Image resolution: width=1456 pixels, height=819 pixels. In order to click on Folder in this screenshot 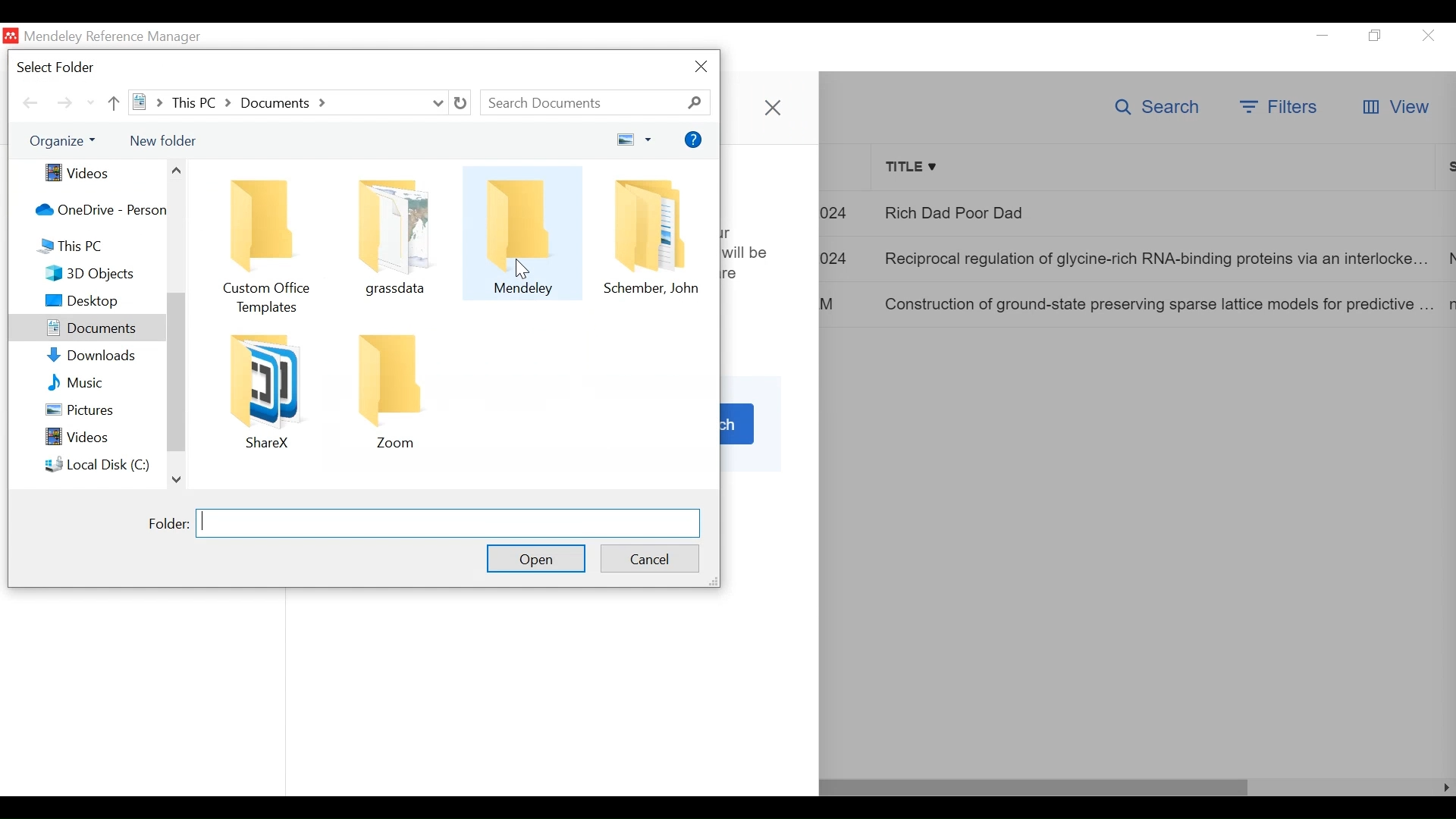, I will do `click(390, 389)`.